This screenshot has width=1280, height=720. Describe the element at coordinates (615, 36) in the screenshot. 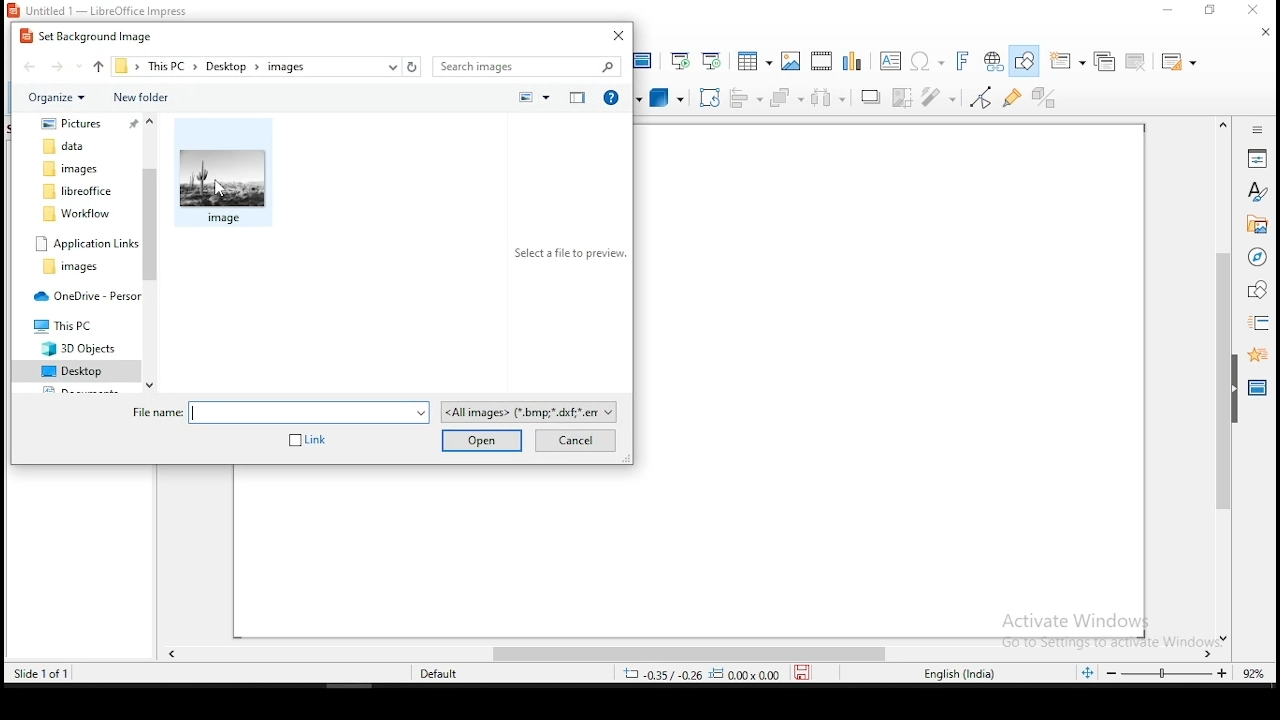

I see `close` at that location.